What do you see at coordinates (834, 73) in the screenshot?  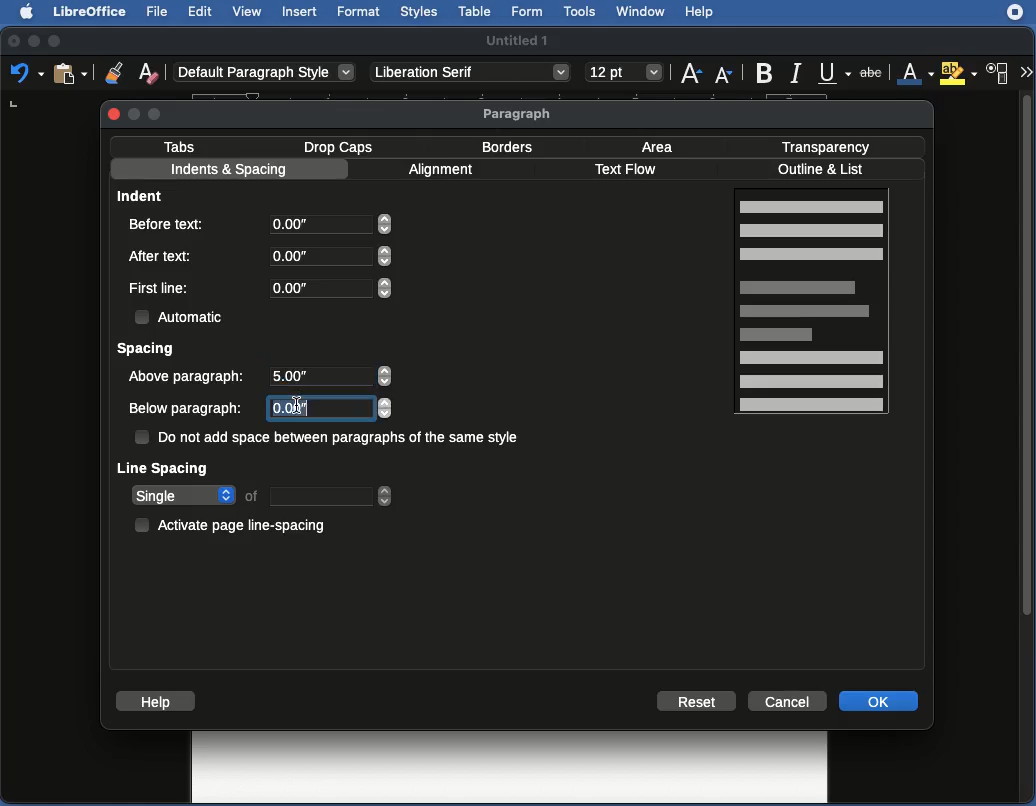 I see `Underline` at bounding box center [834, 73].